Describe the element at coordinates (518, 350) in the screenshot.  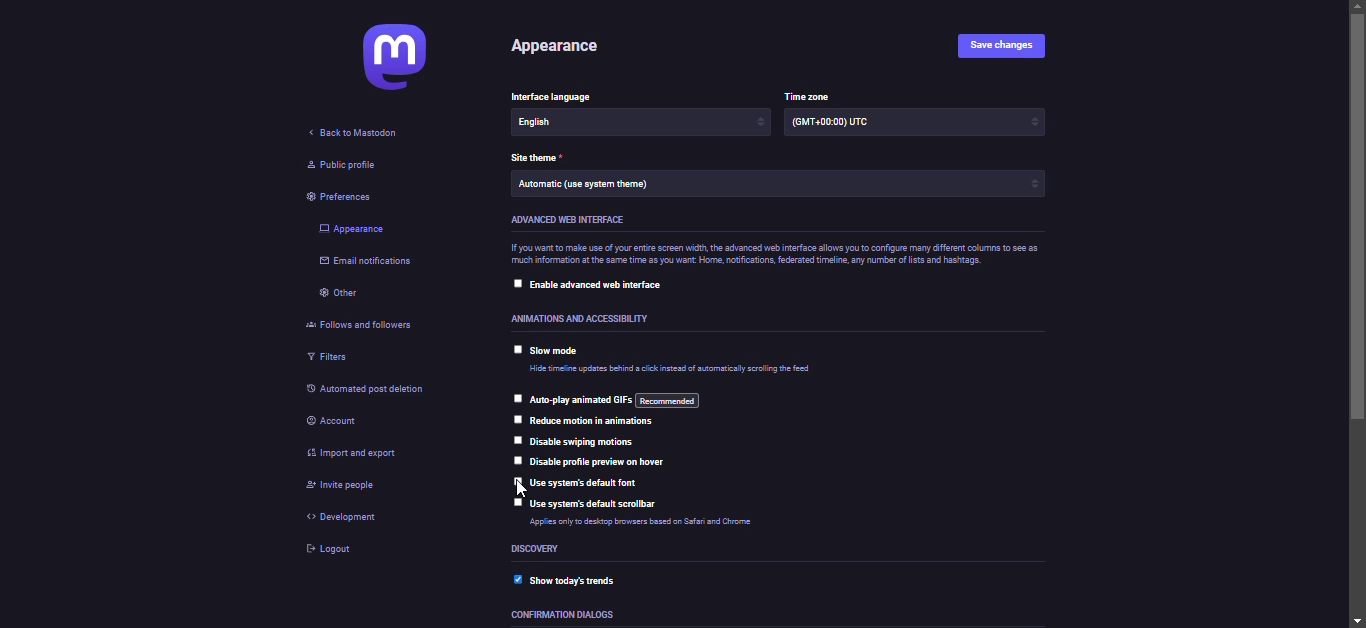
I see `click to select` at that location.